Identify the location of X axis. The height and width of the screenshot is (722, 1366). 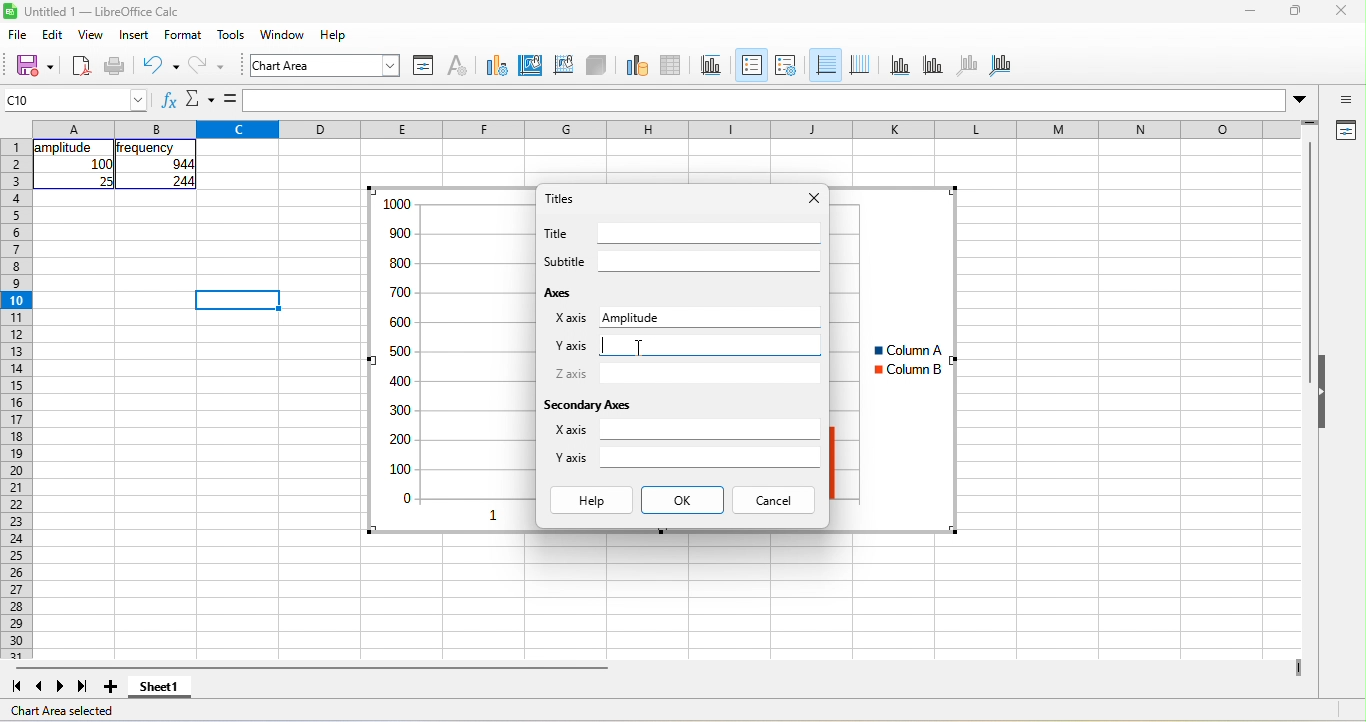
(571, 318).